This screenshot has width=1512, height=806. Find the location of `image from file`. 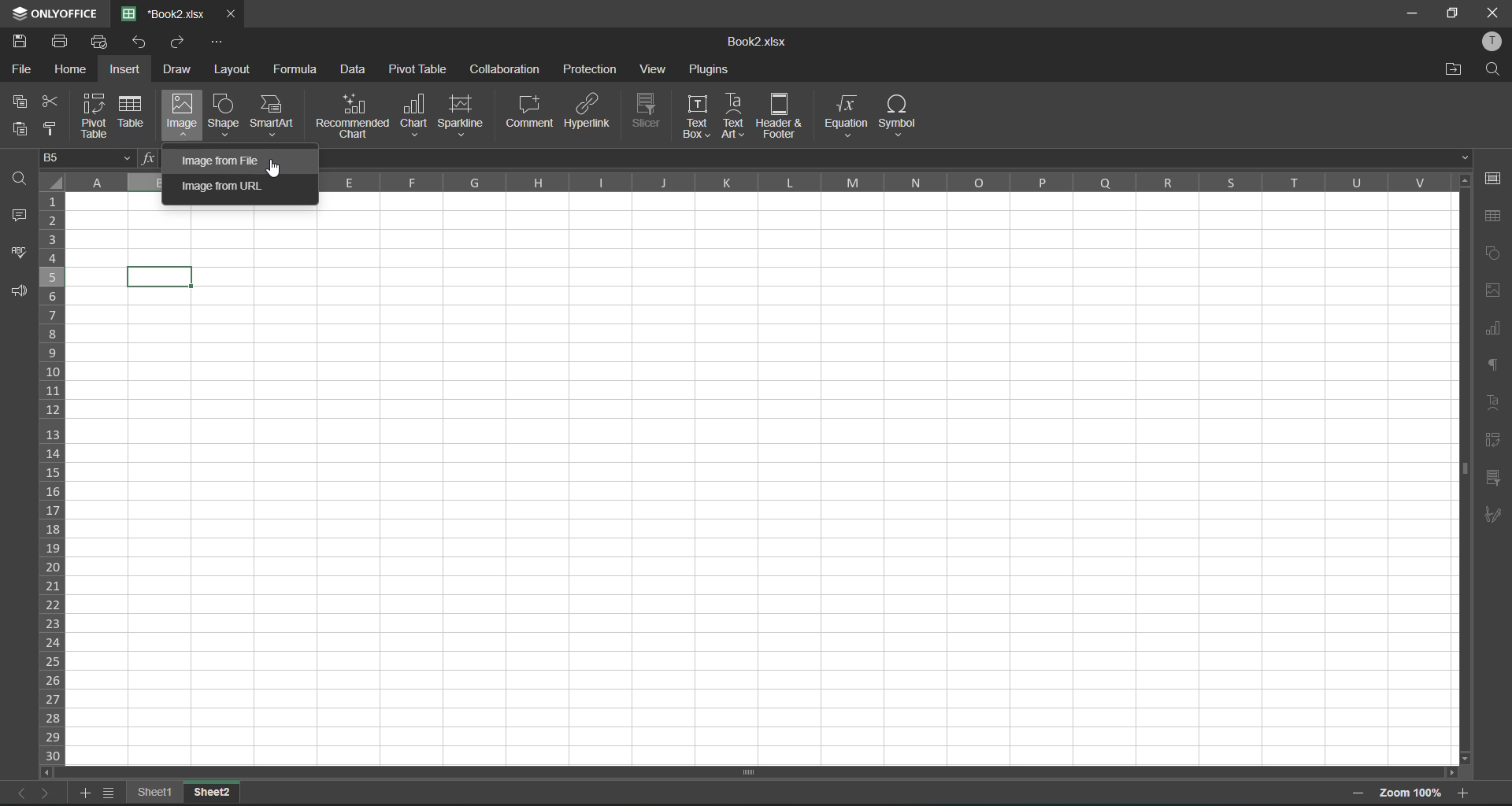

image from file is located at coordinates (220, 161).